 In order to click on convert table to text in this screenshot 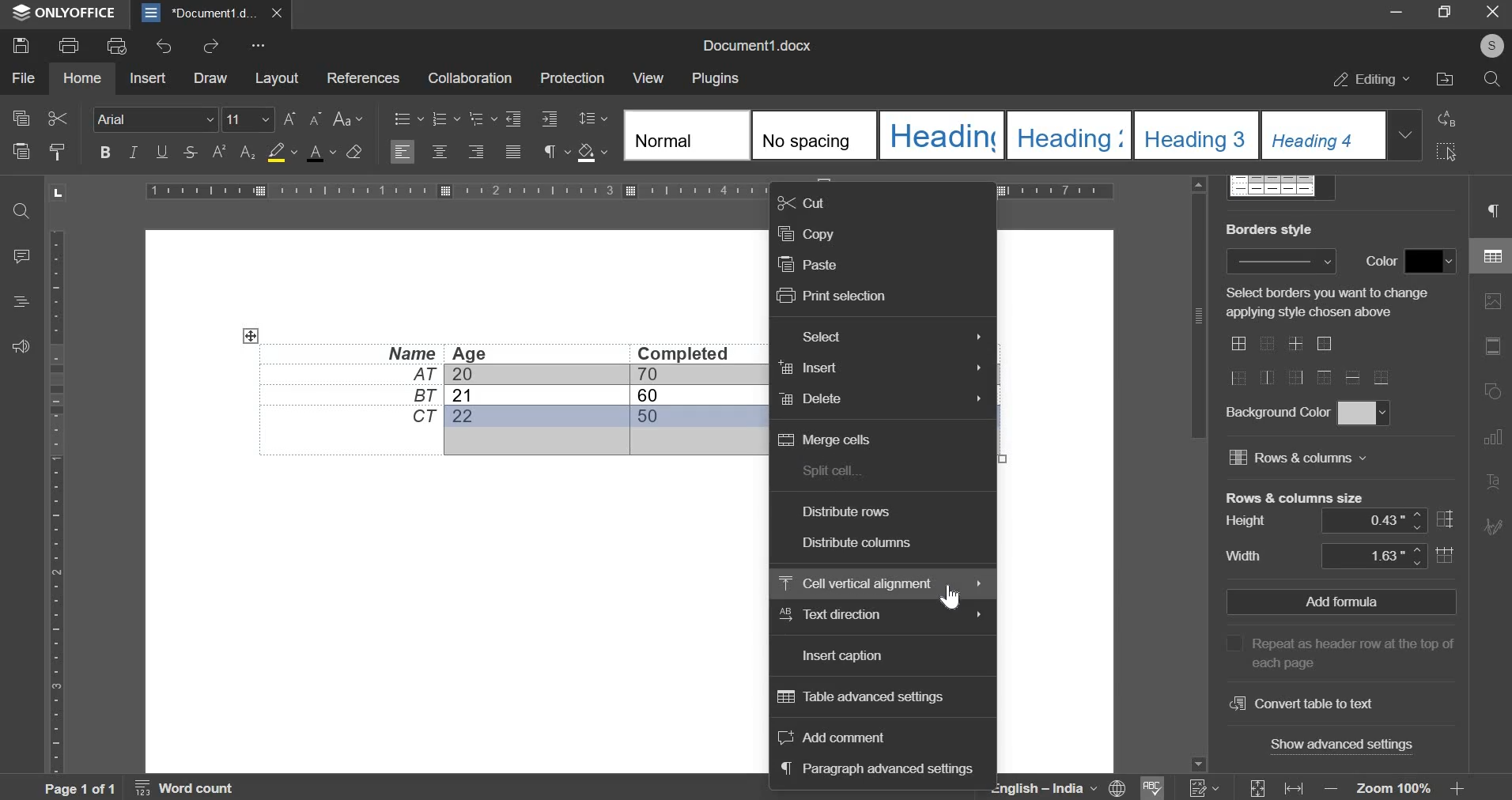, I will do `click(1302, 704)`.